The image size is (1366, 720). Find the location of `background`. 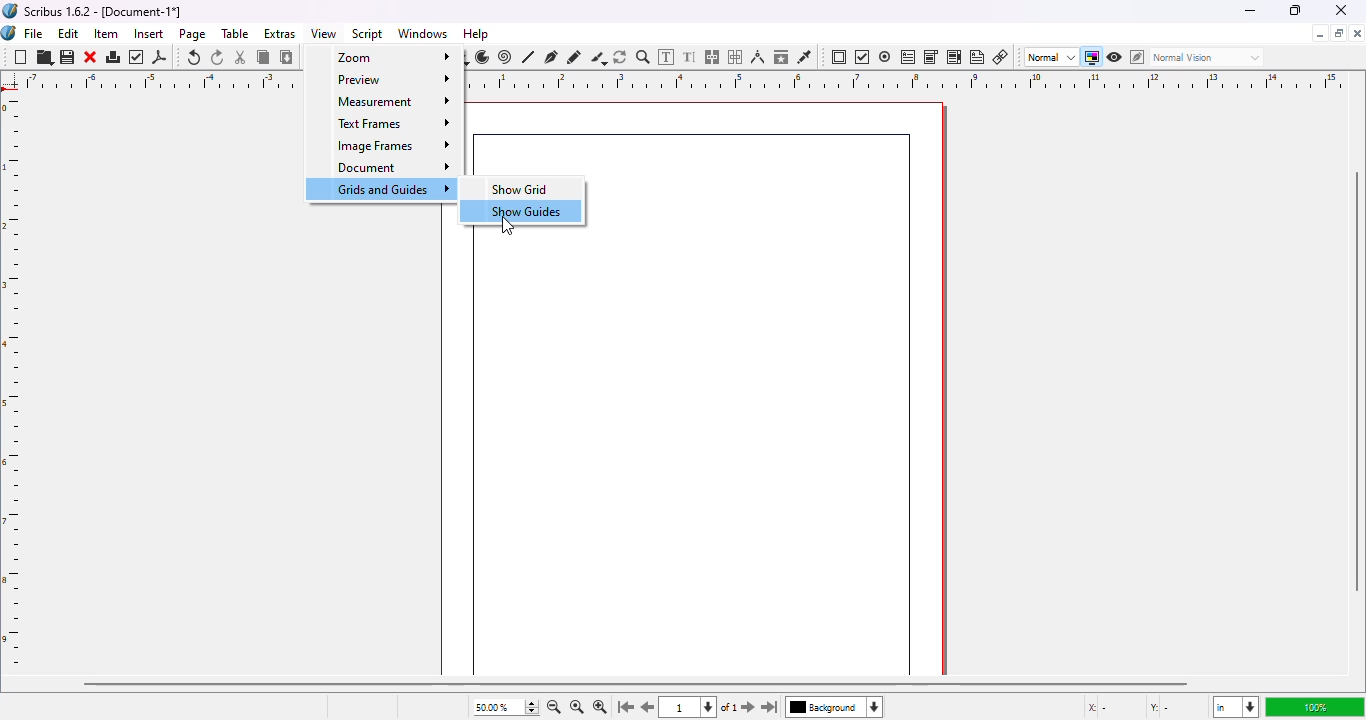

background is located at coordinates (840, 709).